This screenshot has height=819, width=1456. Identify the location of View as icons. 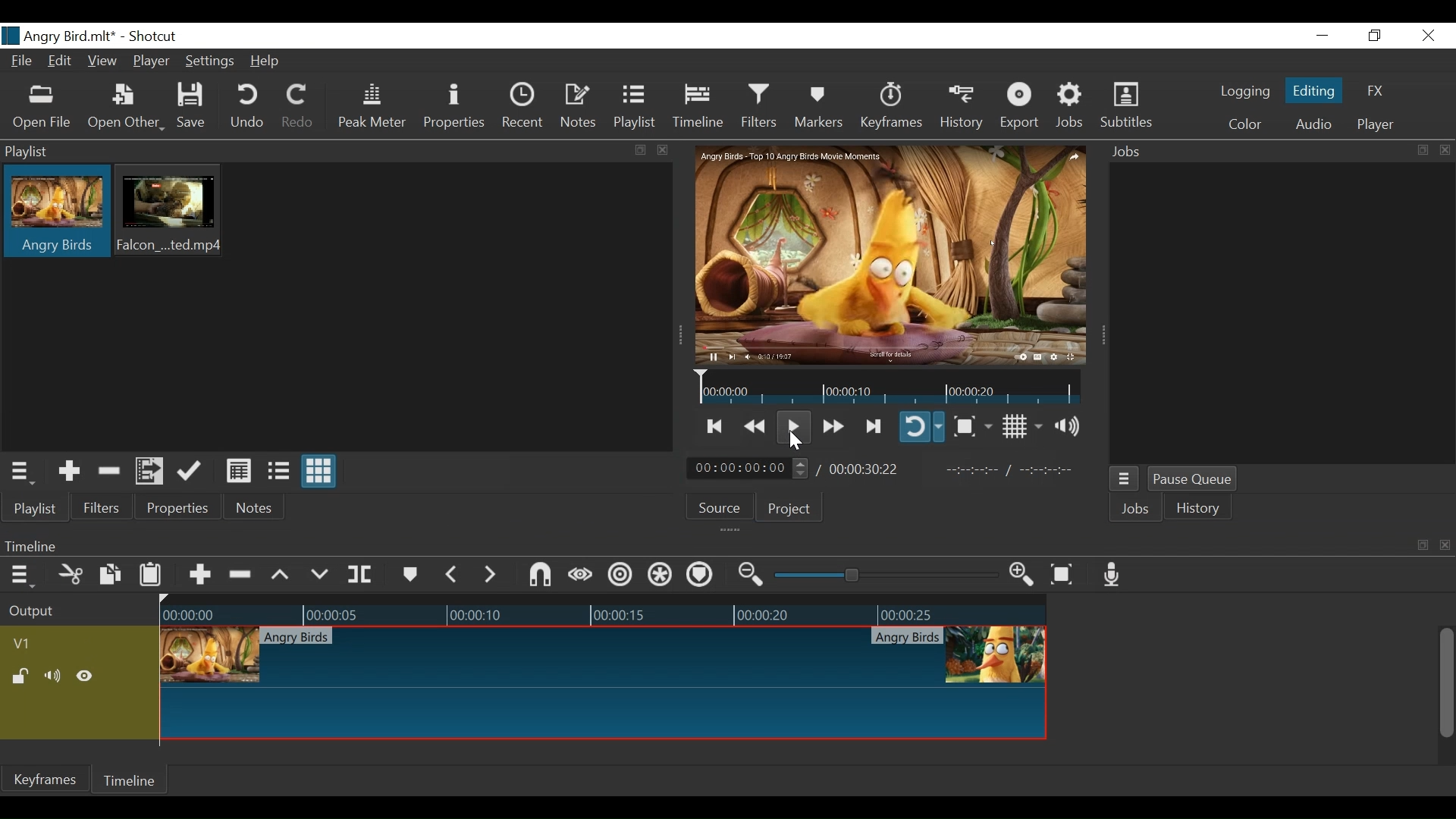
(320, 472).